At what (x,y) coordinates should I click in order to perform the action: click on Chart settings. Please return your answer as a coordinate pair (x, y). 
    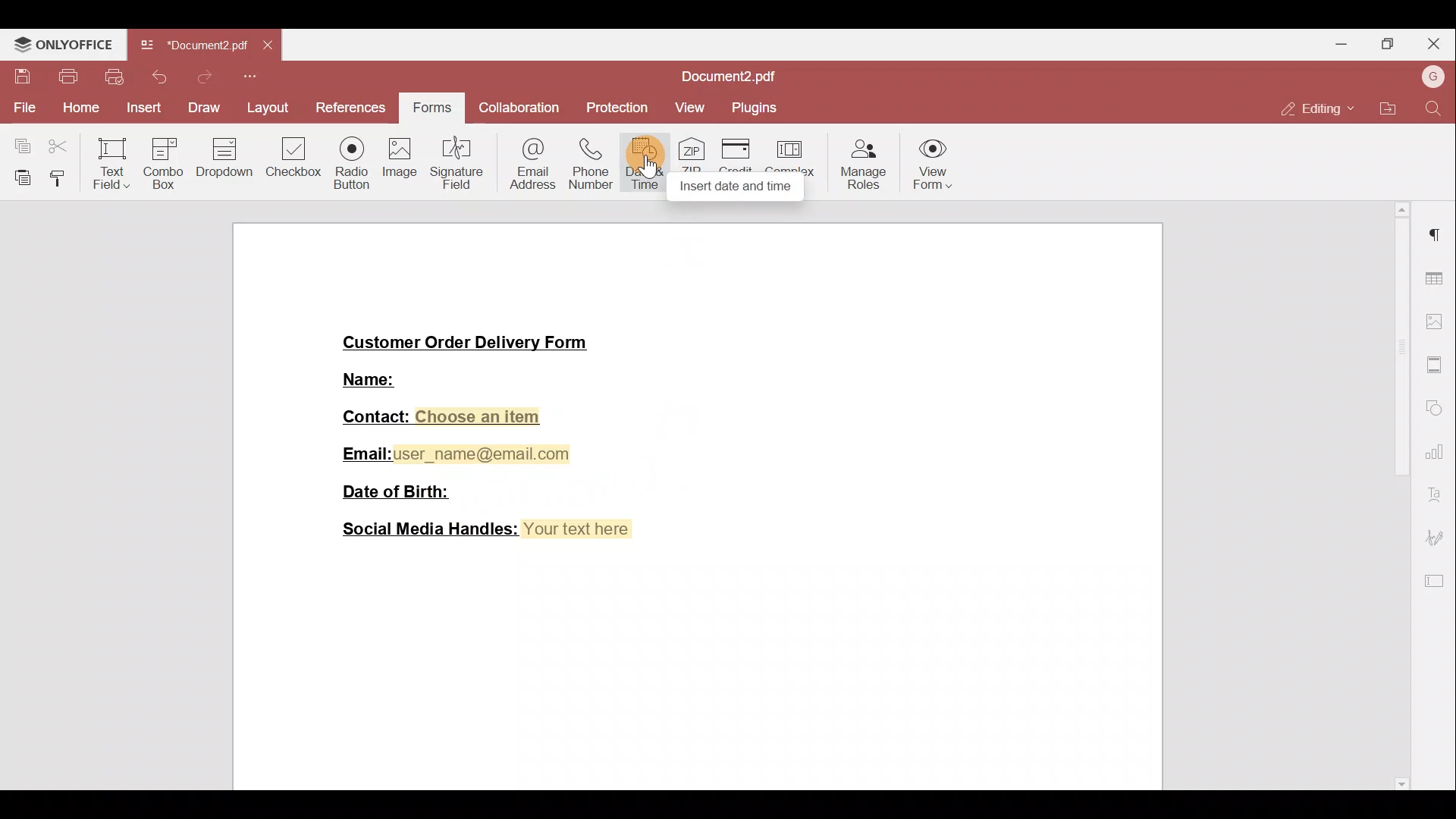
    Looking at the image, I should click on (1438, 457).